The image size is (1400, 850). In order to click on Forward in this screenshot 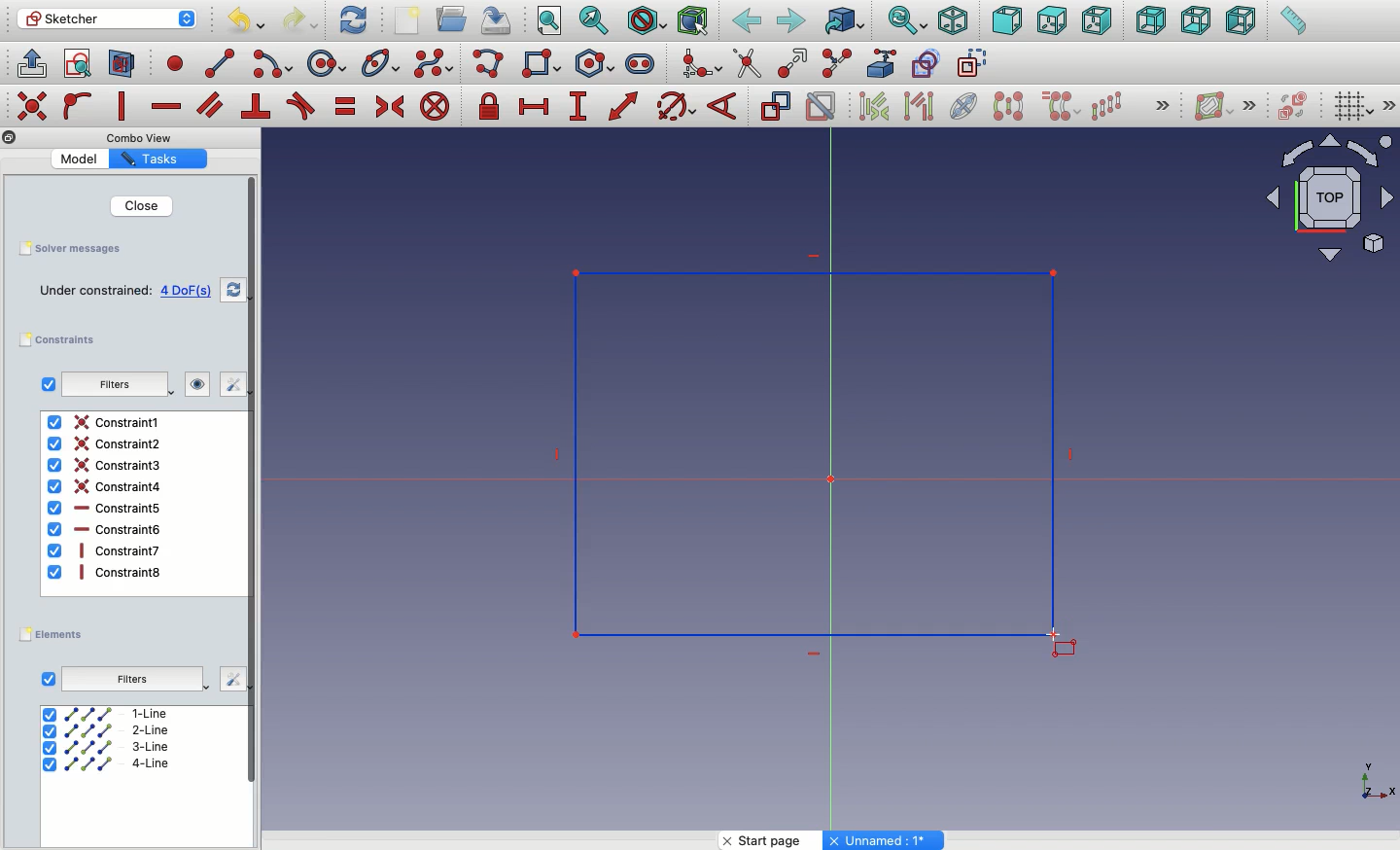, I will do `click(791, 20)`.